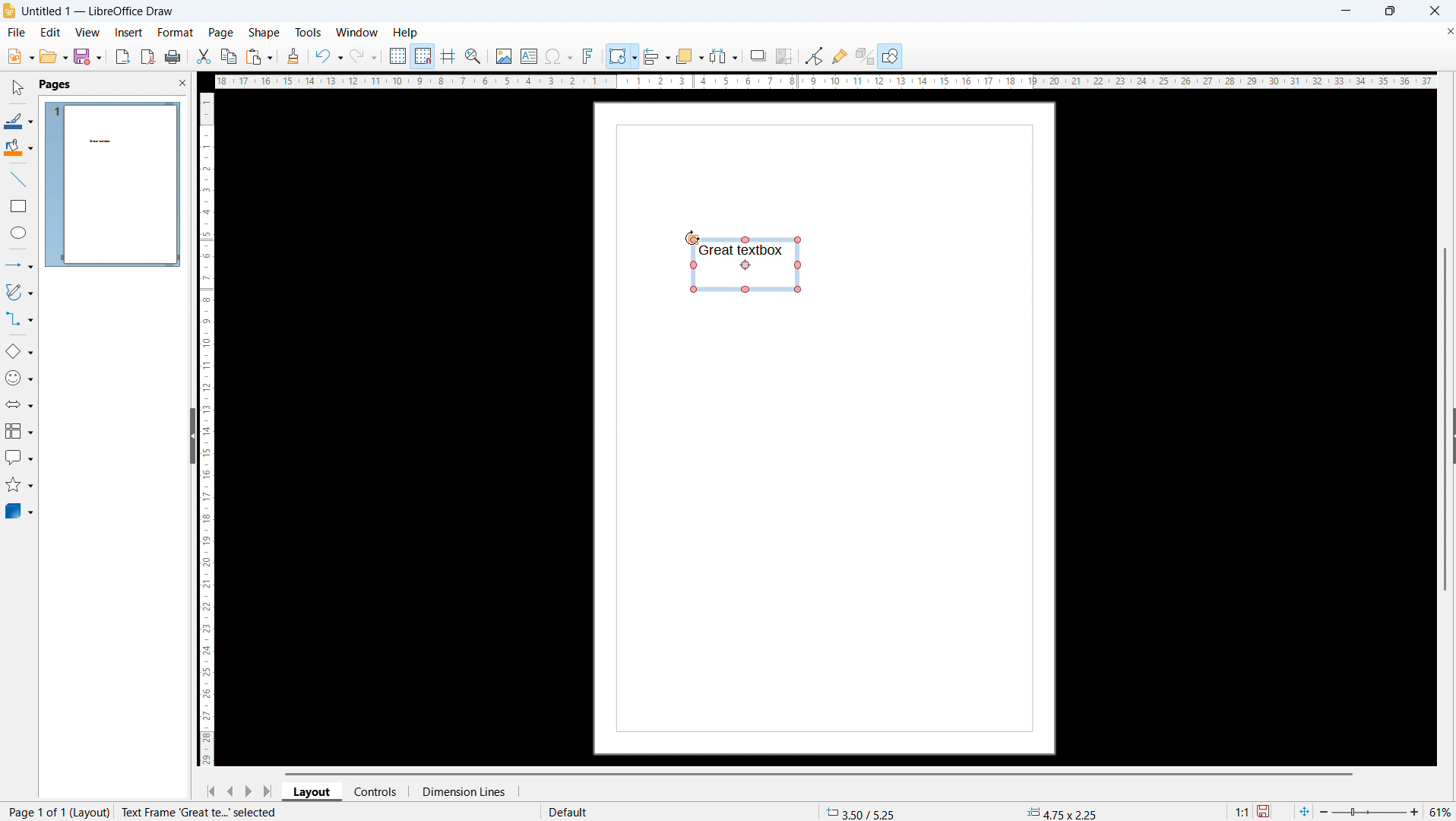  Describe the element at coordinates (504, 55) in the screenshot. I see `insert image` at that location.